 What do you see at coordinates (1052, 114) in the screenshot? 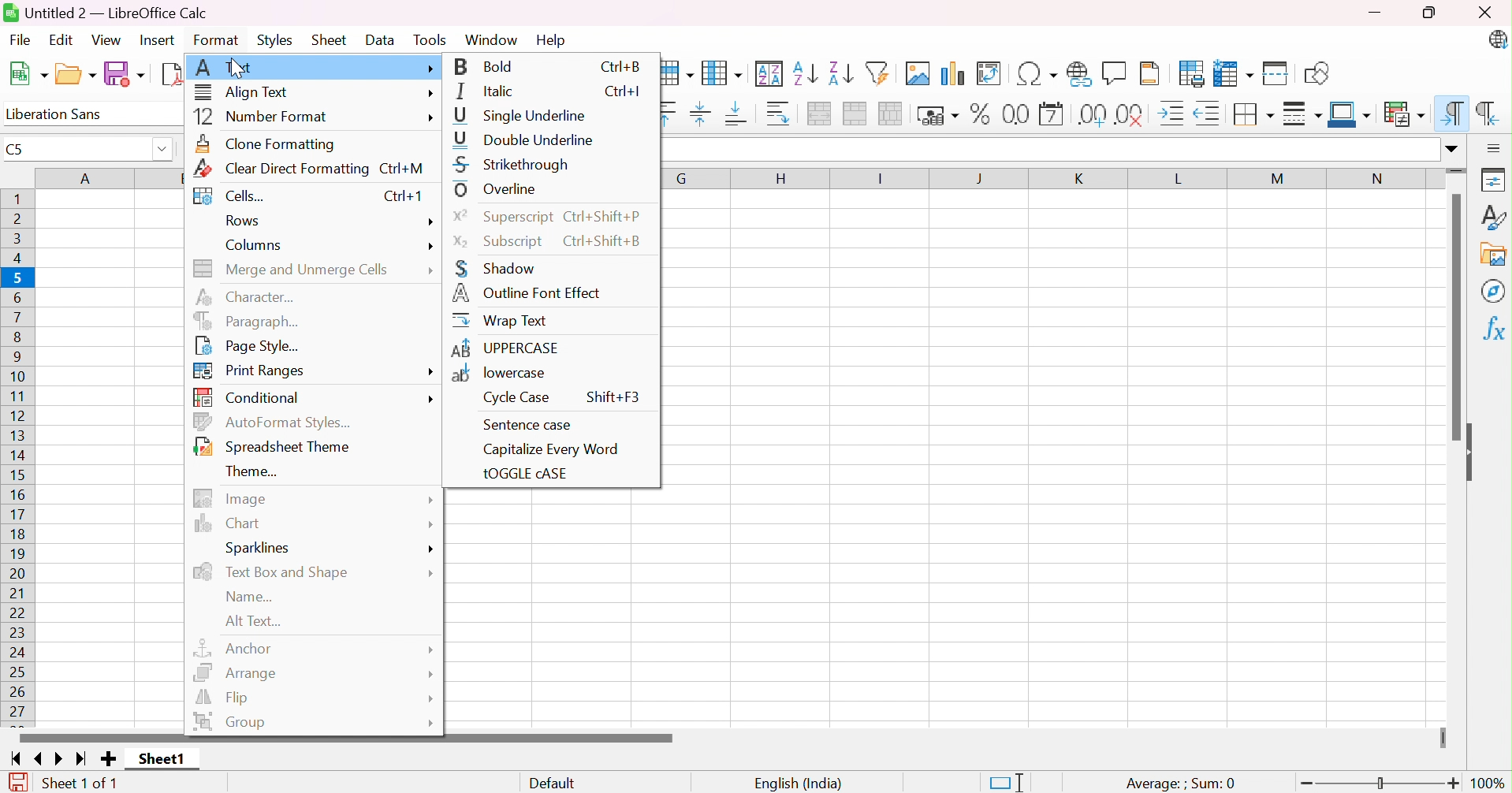
I see `Format as Date` at bounding box center [1052, 114].